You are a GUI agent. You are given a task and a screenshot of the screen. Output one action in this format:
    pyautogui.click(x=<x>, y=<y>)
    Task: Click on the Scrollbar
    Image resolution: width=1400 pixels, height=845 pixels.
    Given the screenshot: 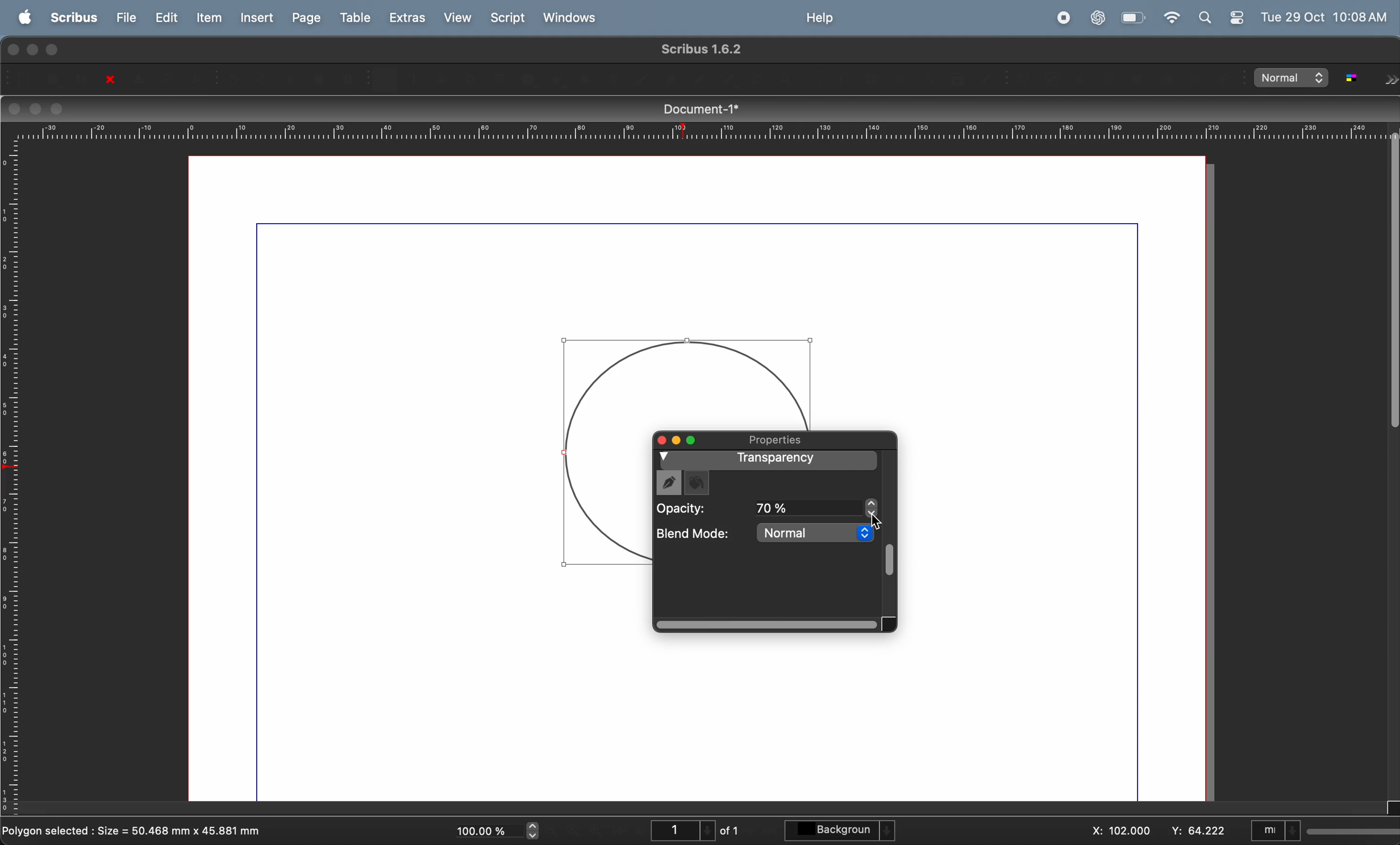 What is the action you would take?
    pyautogui.click(x=889, y=557)
    